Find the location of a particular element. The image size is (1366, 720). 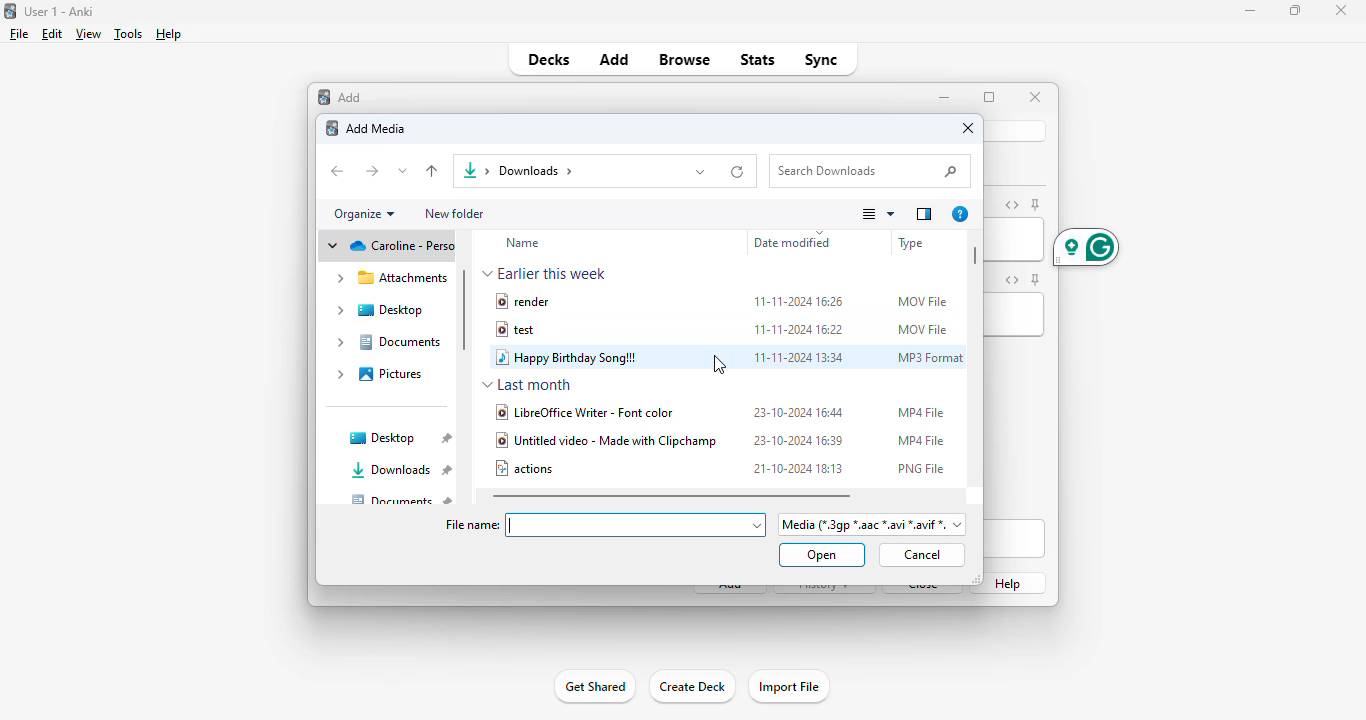

search downloads is located at coordinates (870, 171).